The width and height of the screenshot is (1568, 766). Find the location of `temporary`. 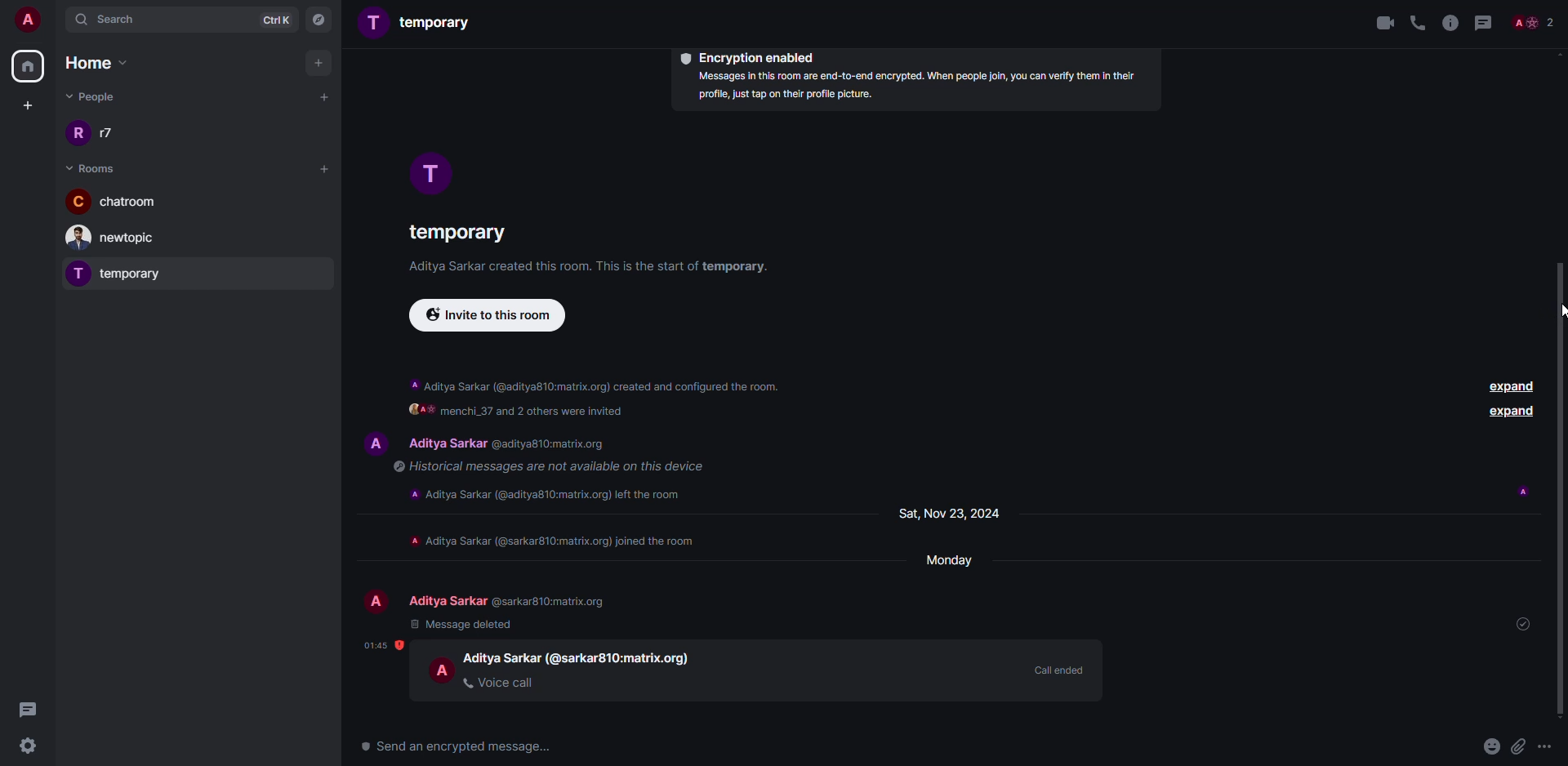

temporary is located at coordinates (121, 273).